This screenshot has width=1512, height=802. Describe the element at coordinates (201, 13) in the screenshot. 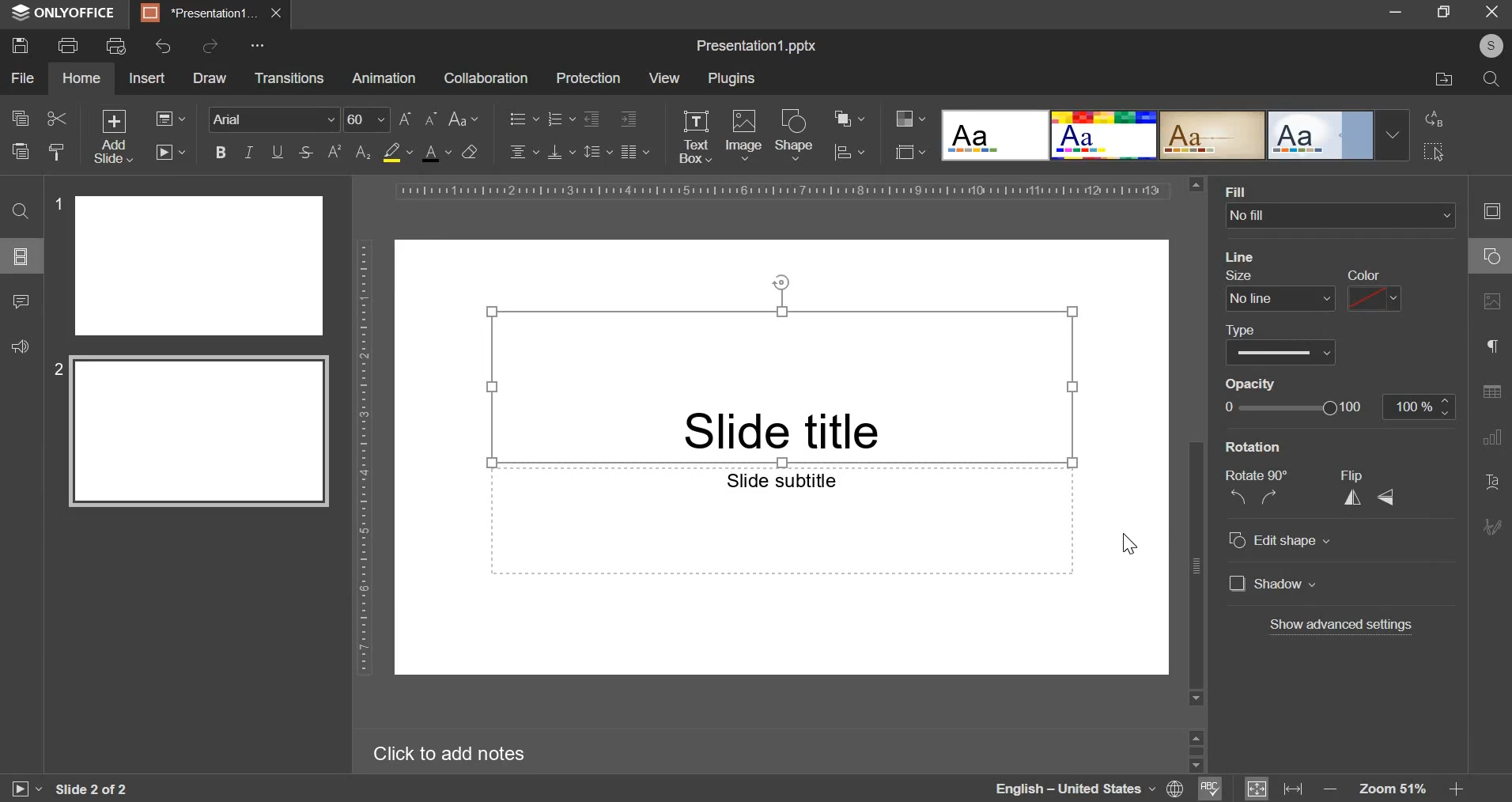

I see `tab 1` at that location.